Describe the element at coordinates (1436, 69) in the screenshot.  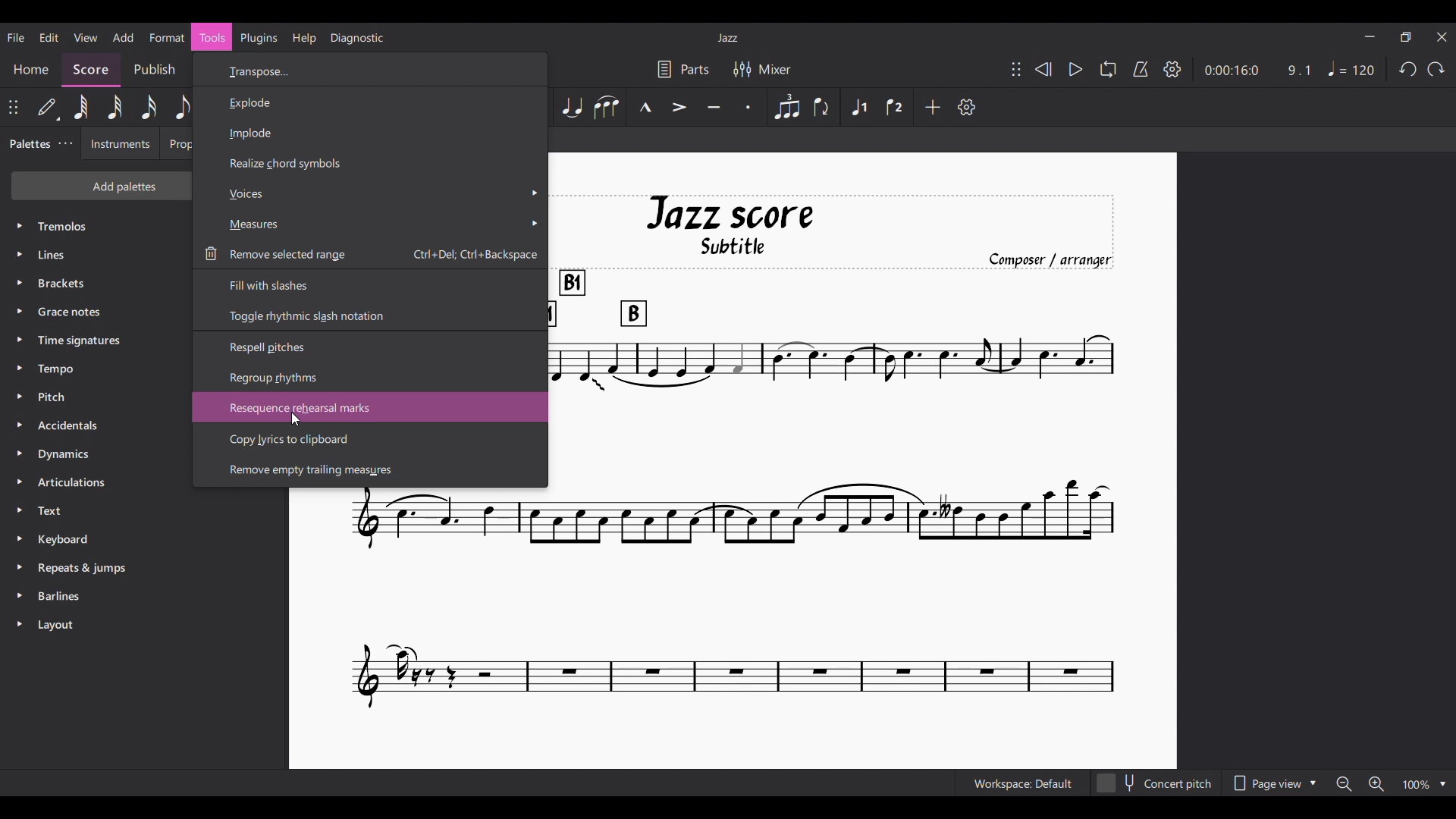
I see `Redo` at that location.